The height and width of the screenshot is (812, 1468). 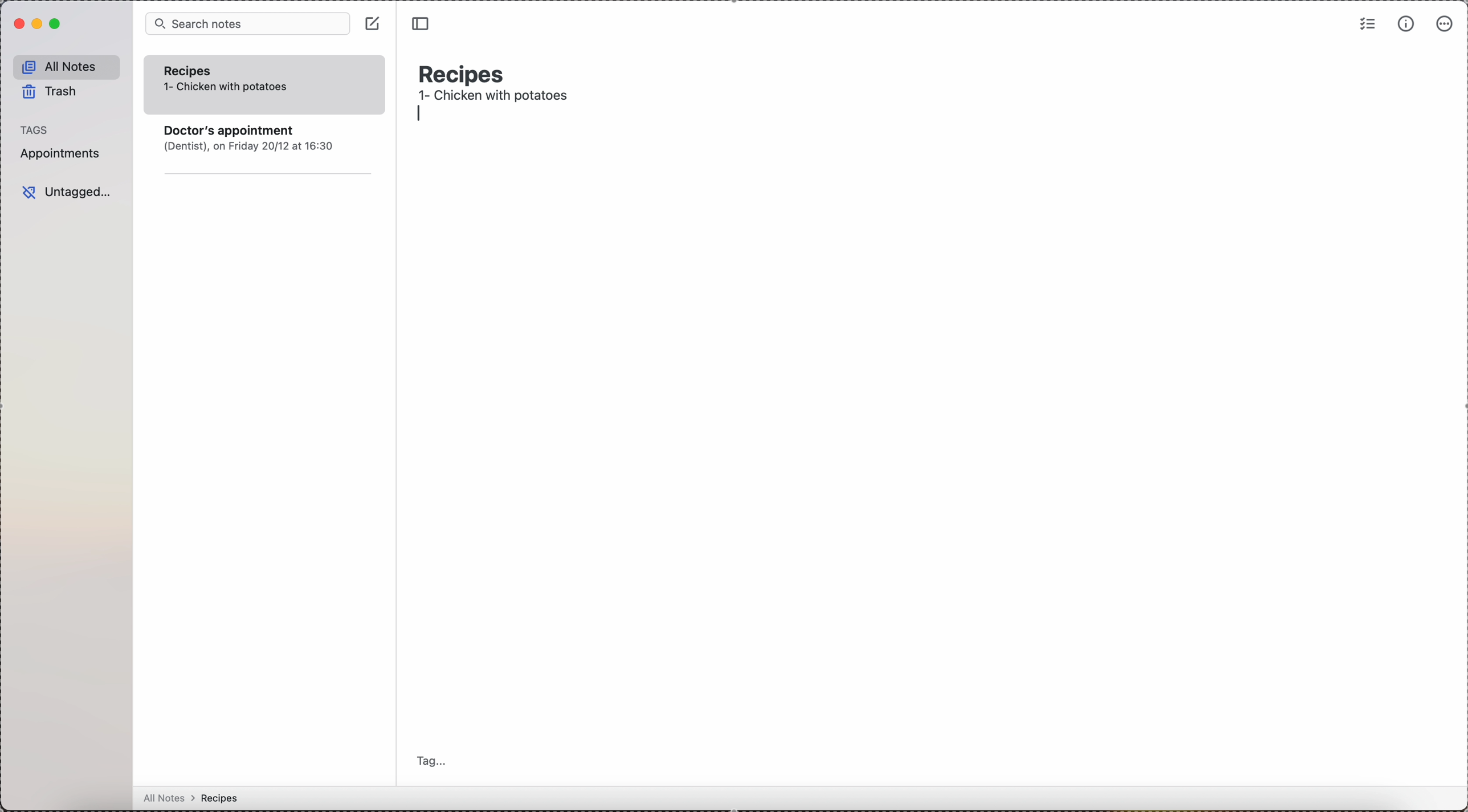 I want to click on close simplenote, so click(x=17, y=25).